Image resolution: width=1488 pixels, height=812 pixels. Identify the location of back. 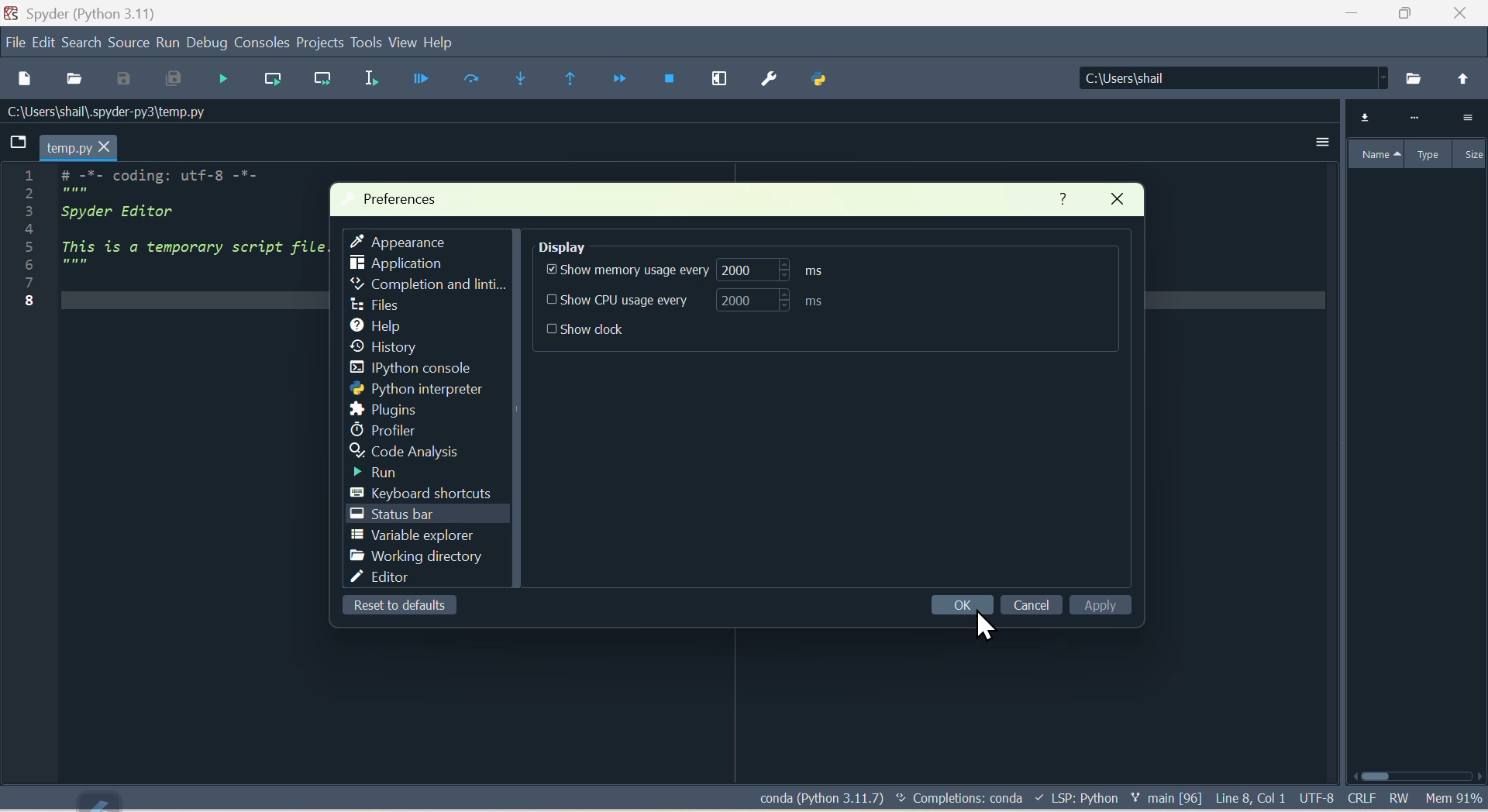
(1463, 78).